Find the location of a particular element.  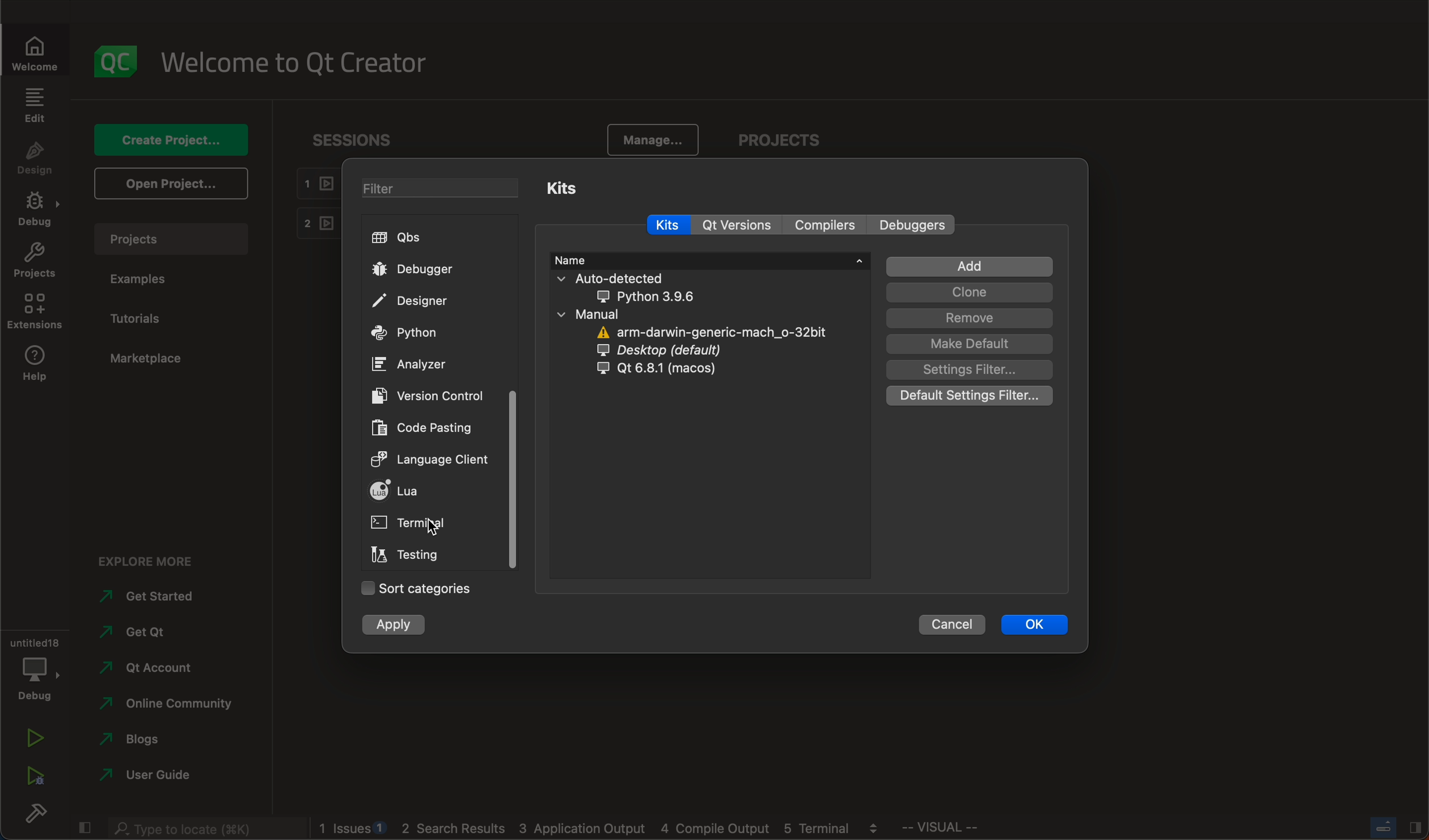

clone is located at coordinates (970, 292).